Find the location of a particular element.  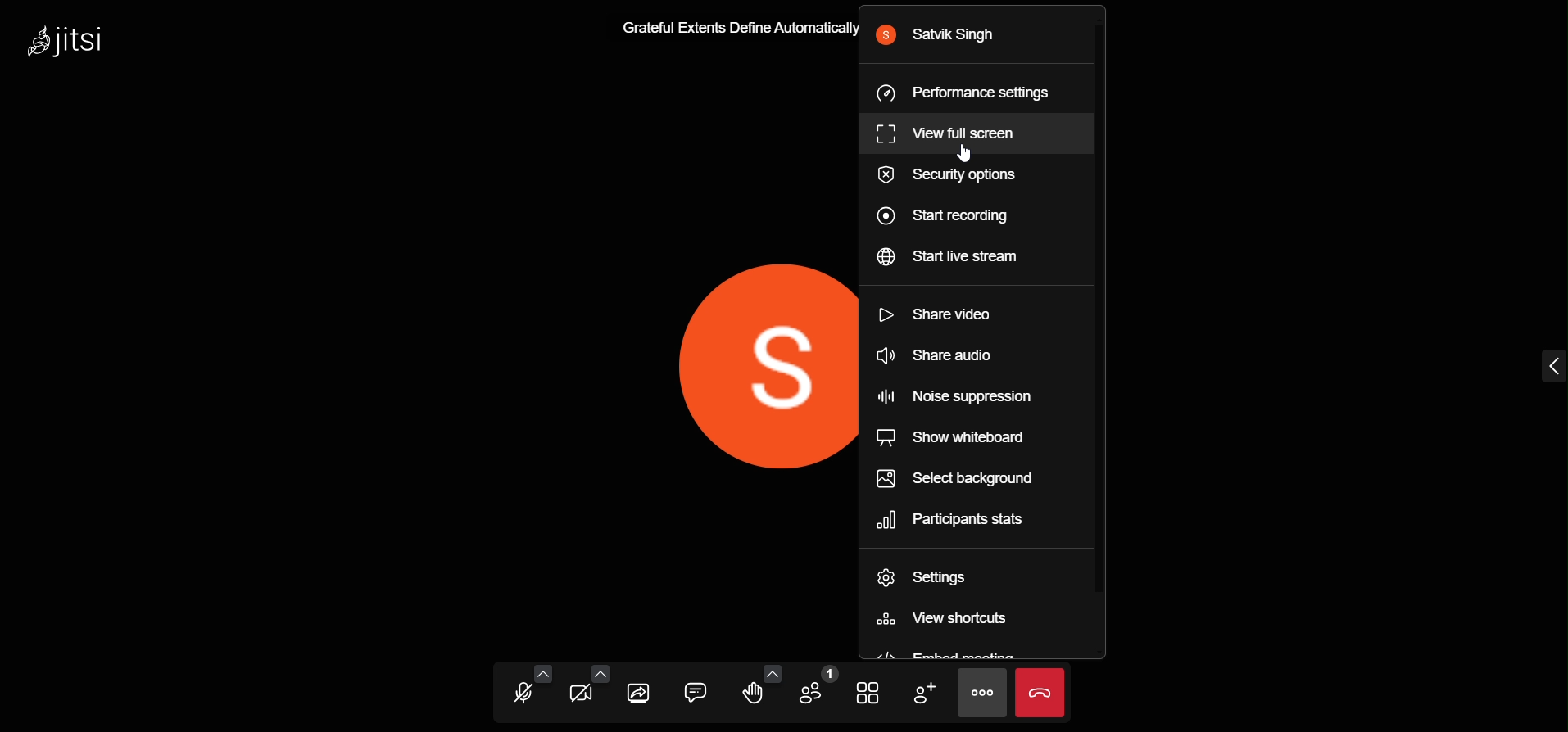

display picture is located at coordinates (728, 364).